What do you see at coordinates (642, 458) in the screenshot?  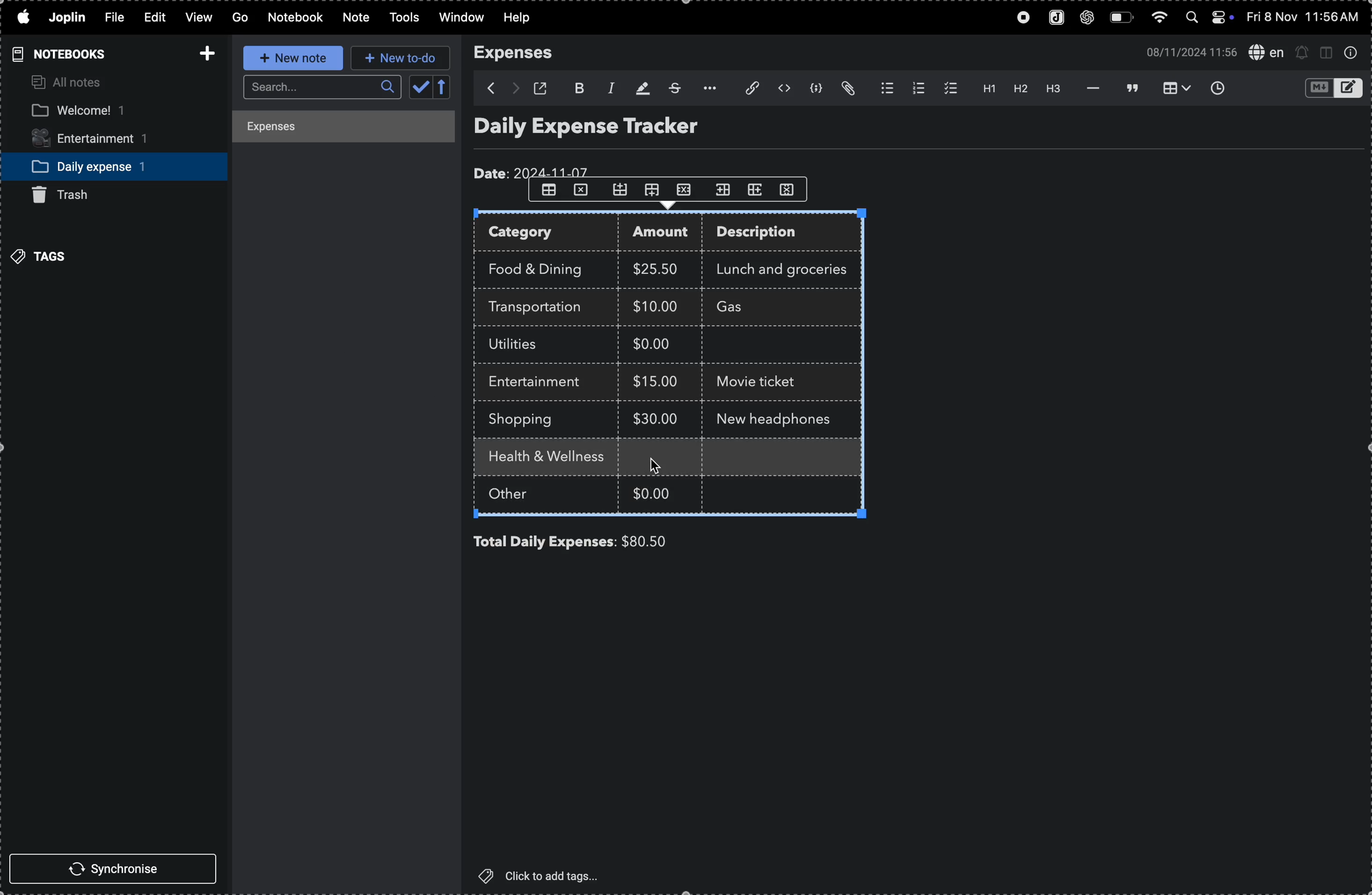 I see `text` at bounding box center [642, 458].